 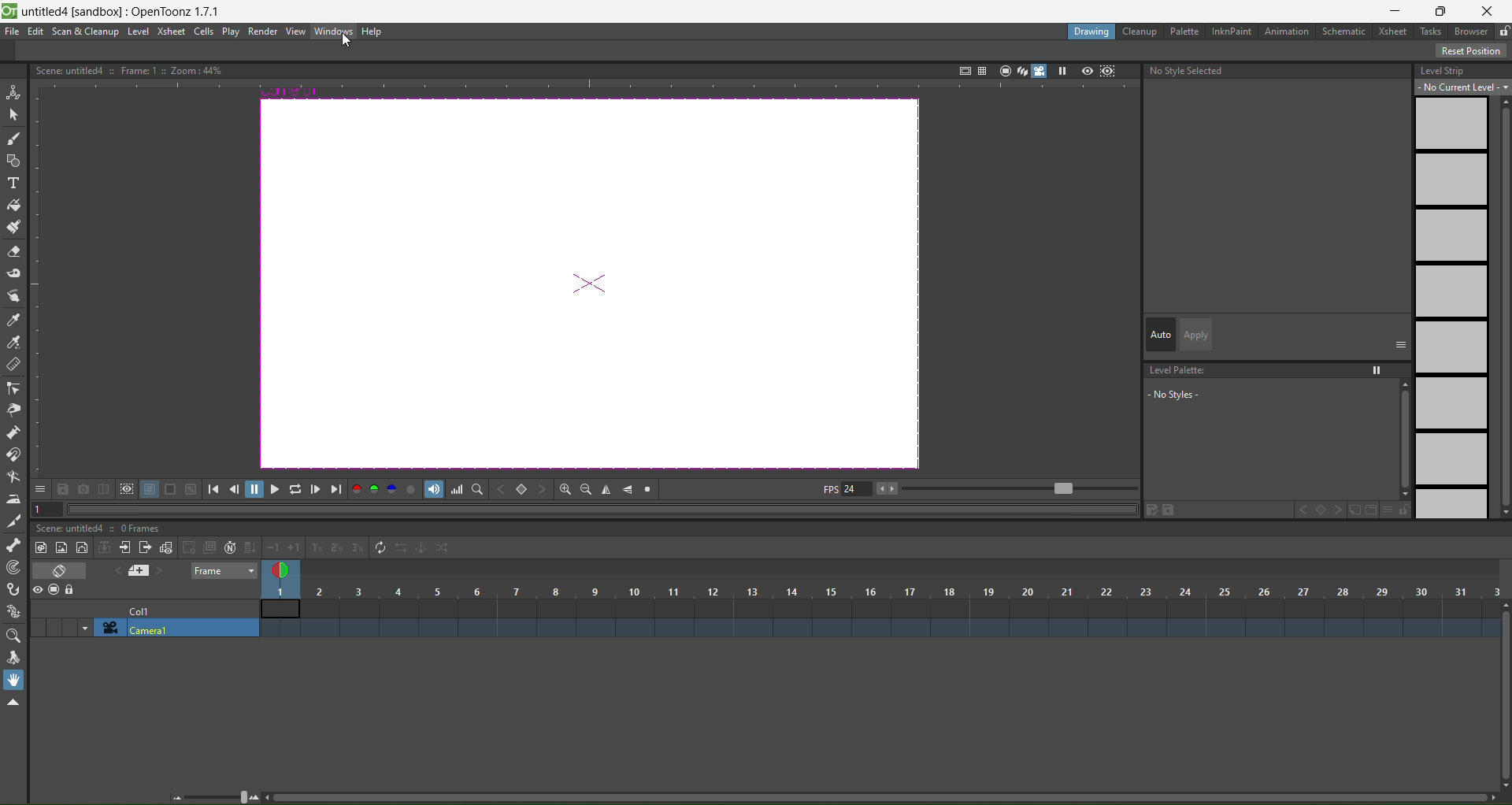 I want to click on flip vertically, so click(x=630, y=488).